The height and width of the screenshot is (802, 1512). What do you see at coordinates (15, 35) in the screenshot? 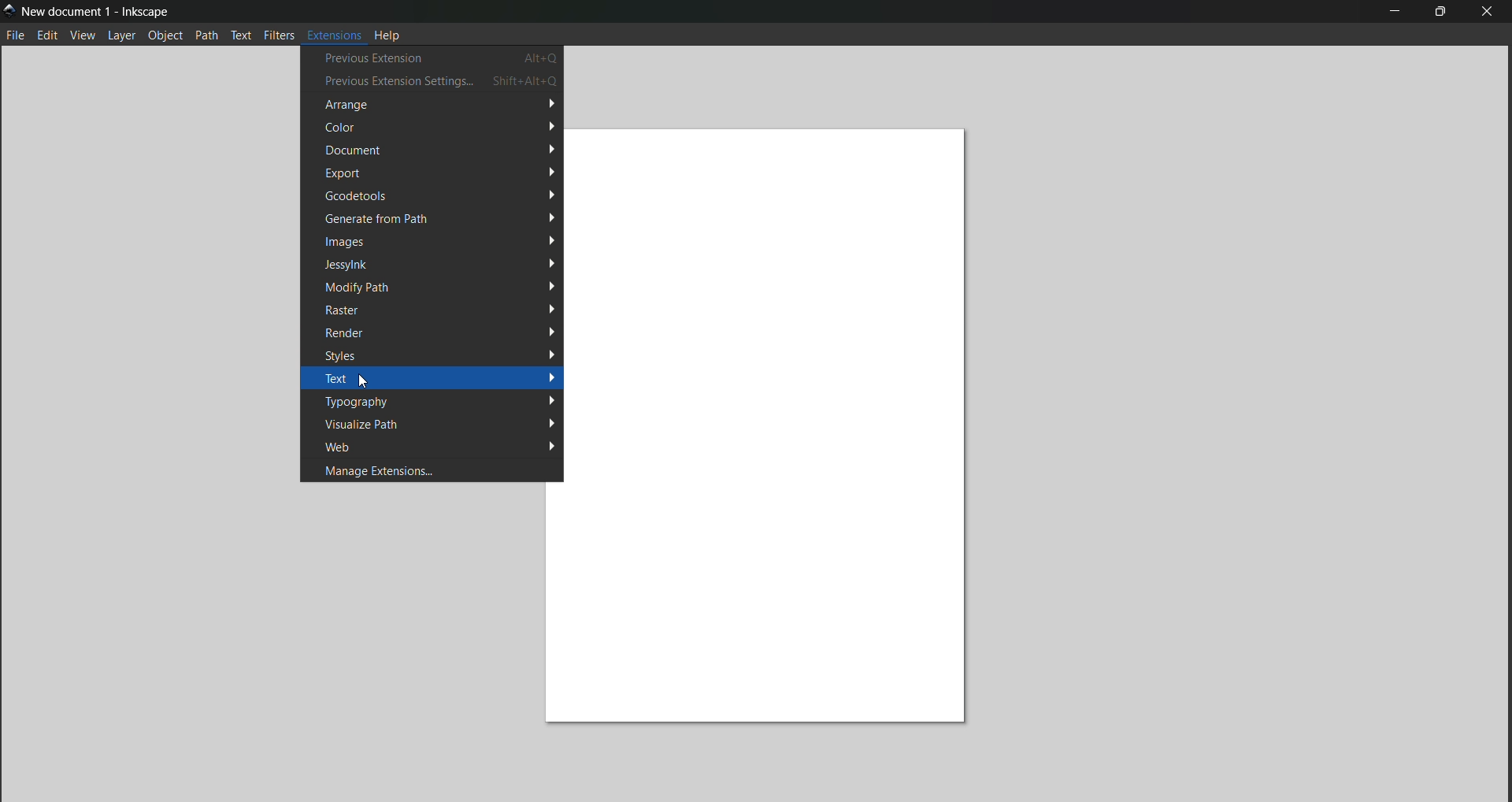
I see `file` at bounding box center [15, 35].